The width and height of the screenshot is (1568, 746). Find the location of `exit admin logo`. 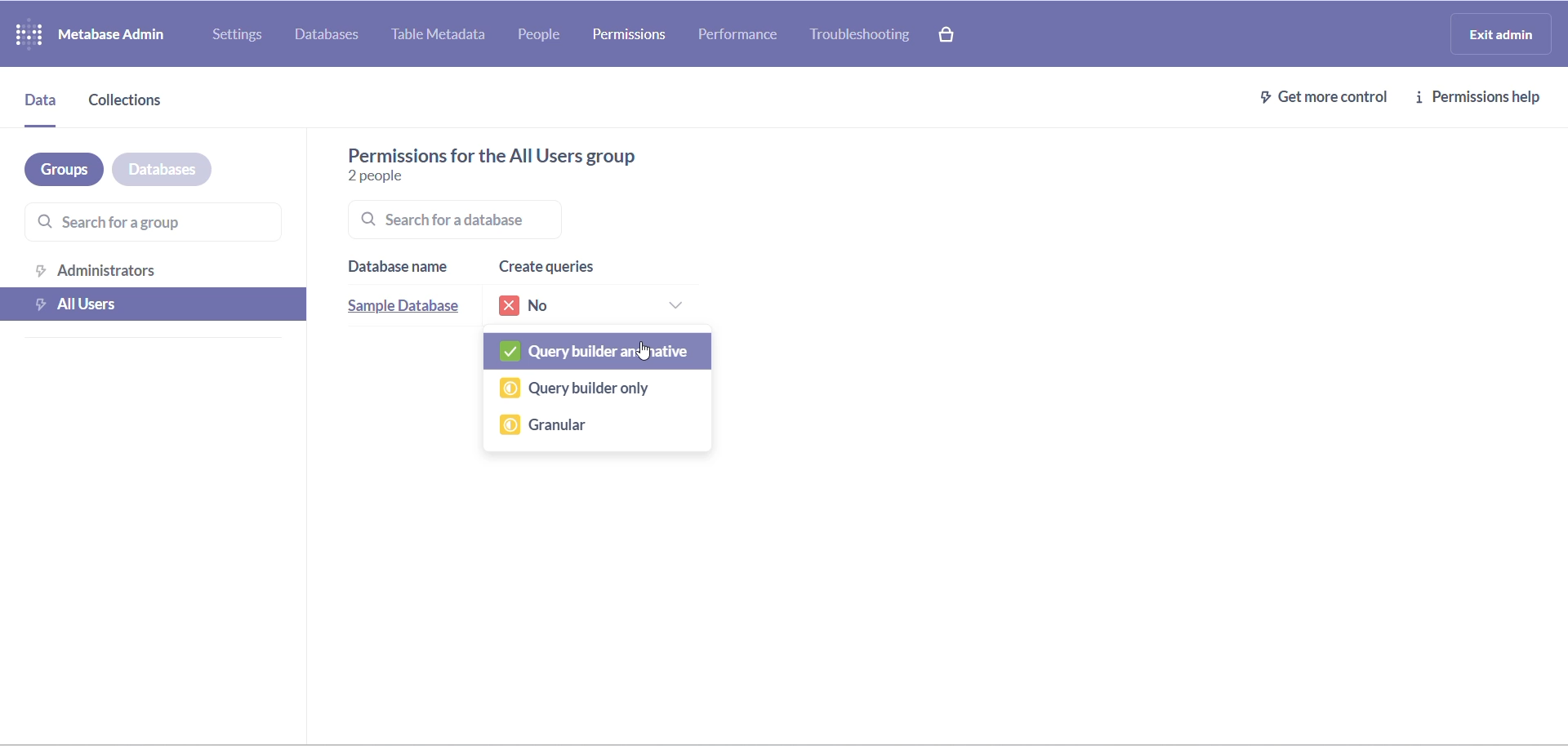

exit admin logo is located at coordinates (1506, 36).